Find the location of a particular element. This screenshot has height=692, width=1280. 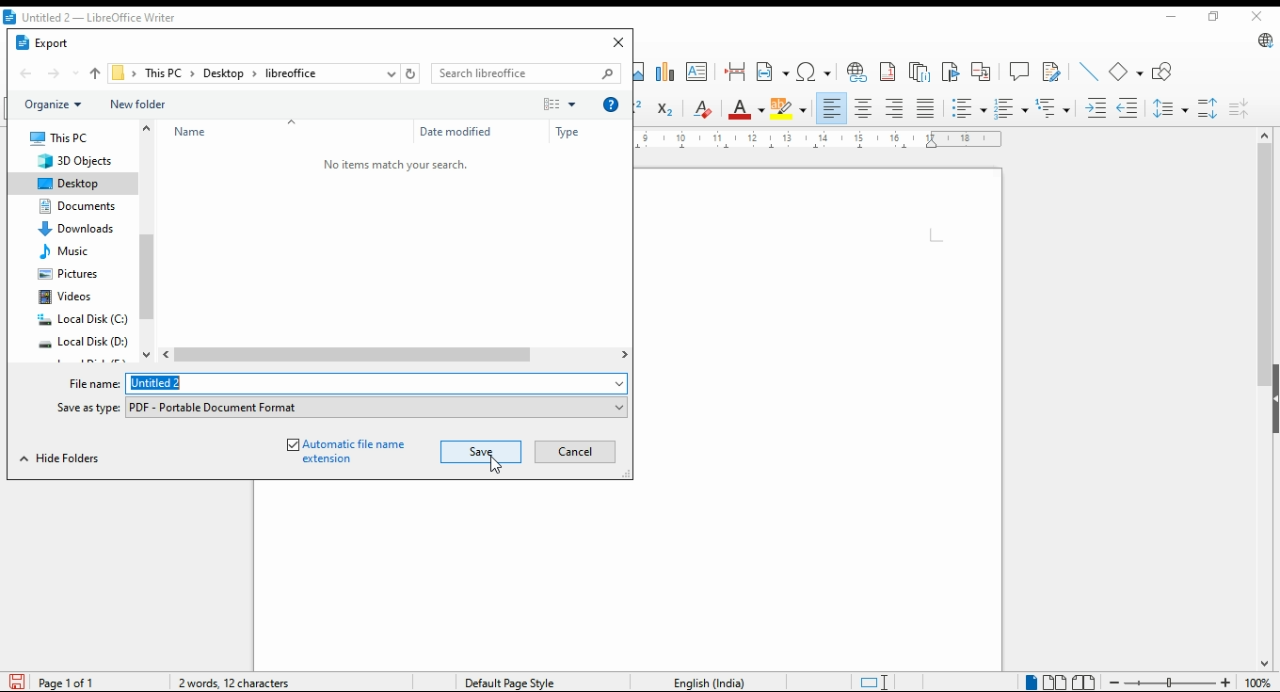

align center is located at coordinates (865, 109).